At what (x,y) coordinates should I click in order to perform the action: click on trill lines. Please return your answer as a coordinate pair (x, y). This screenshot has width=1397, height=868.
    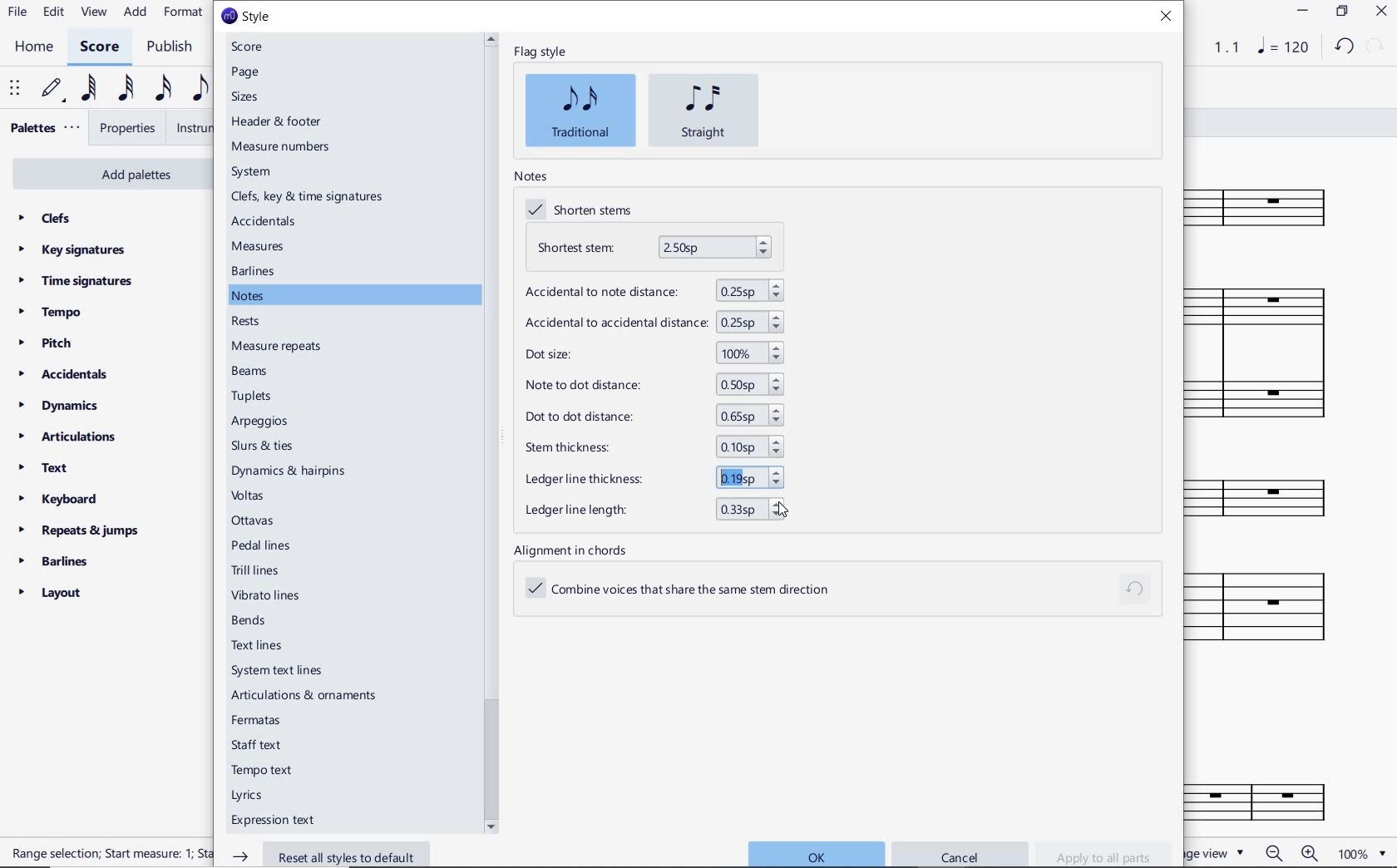
    Looking at the image, I should click on (269, 570).